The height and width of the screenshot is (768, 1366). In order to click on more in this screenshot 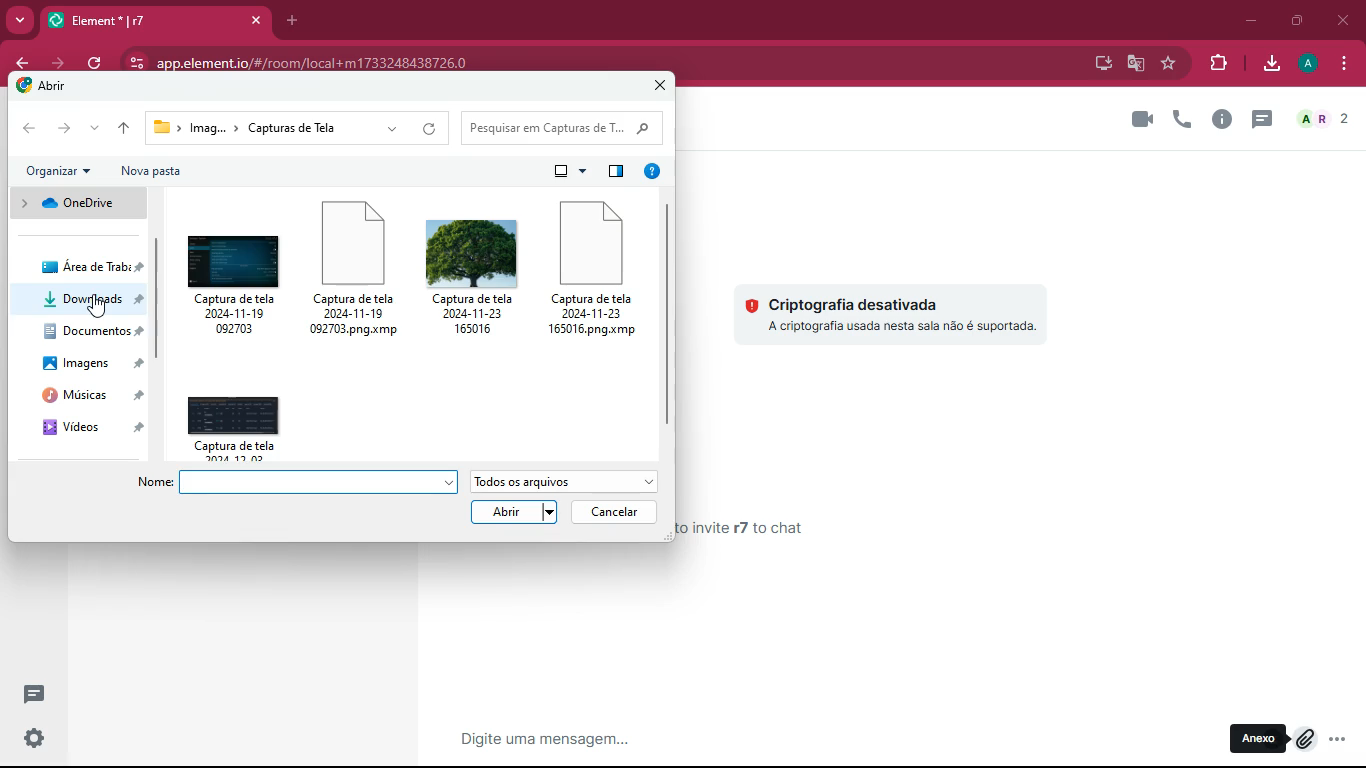, I will do `click(19, 22)`.